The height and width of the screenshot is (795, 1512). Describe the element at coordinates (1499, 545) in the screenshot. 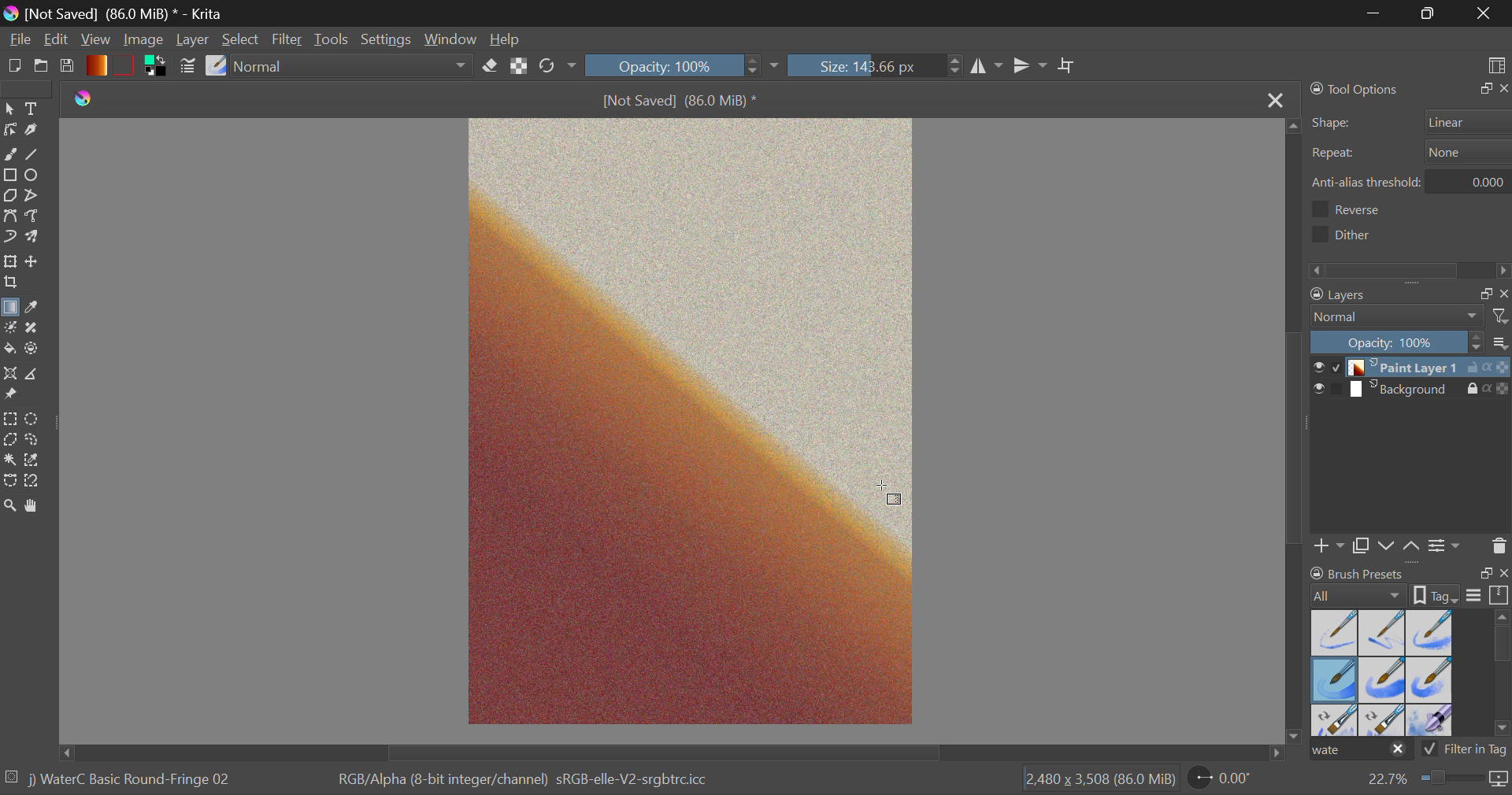

I see `trash` at that location.